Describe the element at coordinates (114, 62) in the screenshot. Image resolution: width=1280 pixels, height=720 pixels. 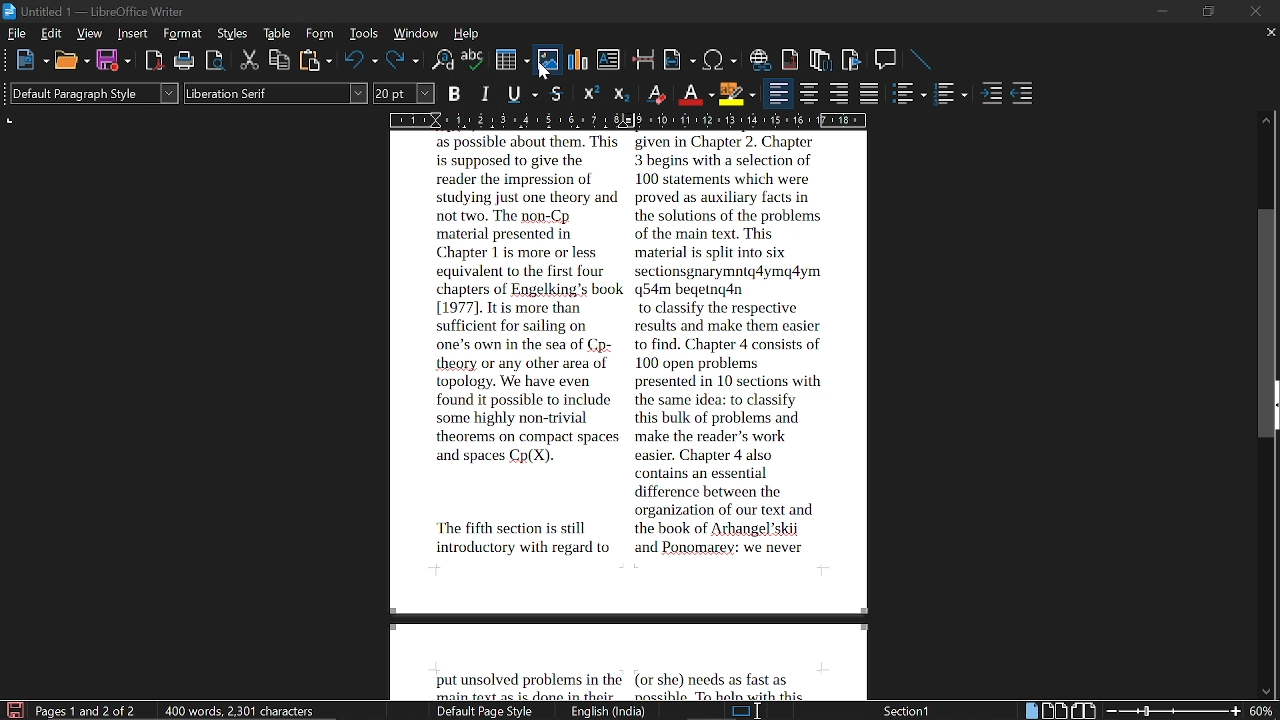
I see `save` at that location.